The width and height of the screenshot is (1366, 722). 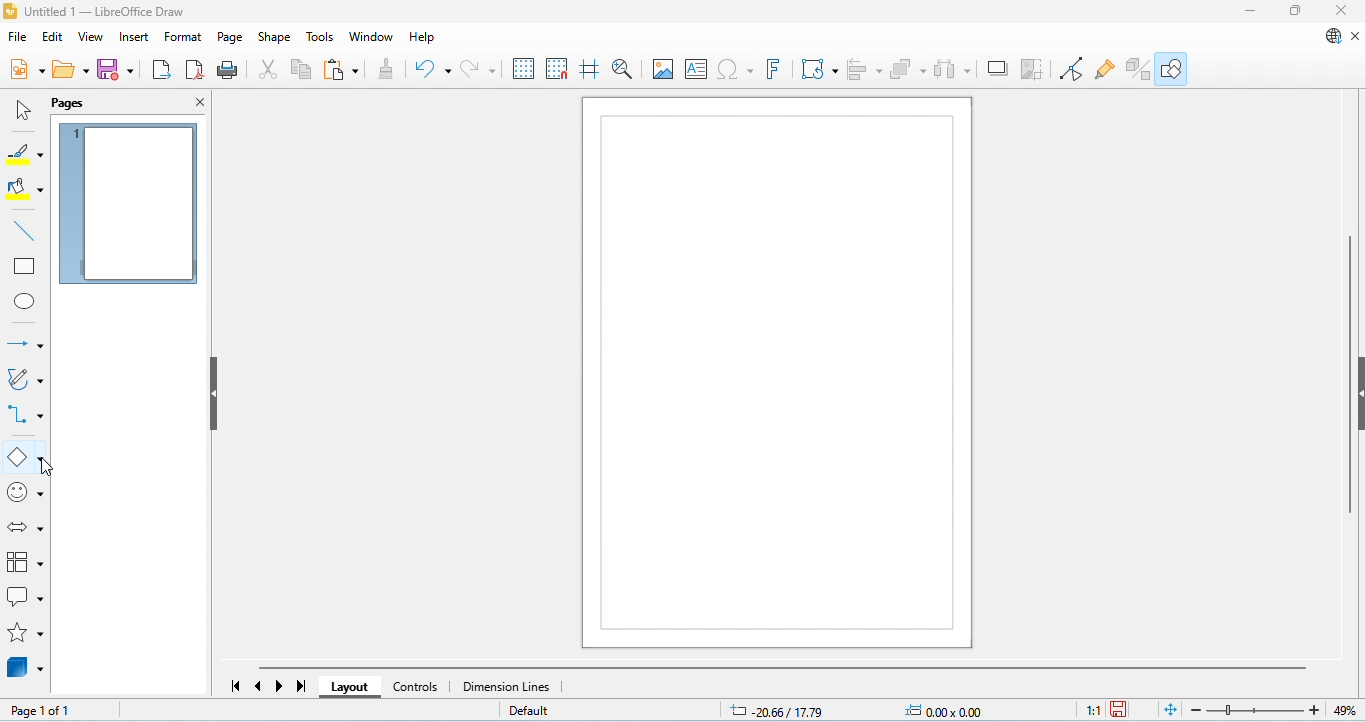 What do you see at coordinates (350, 688) in the screenshot?
I see `layout` at bounding box center [350, 688].